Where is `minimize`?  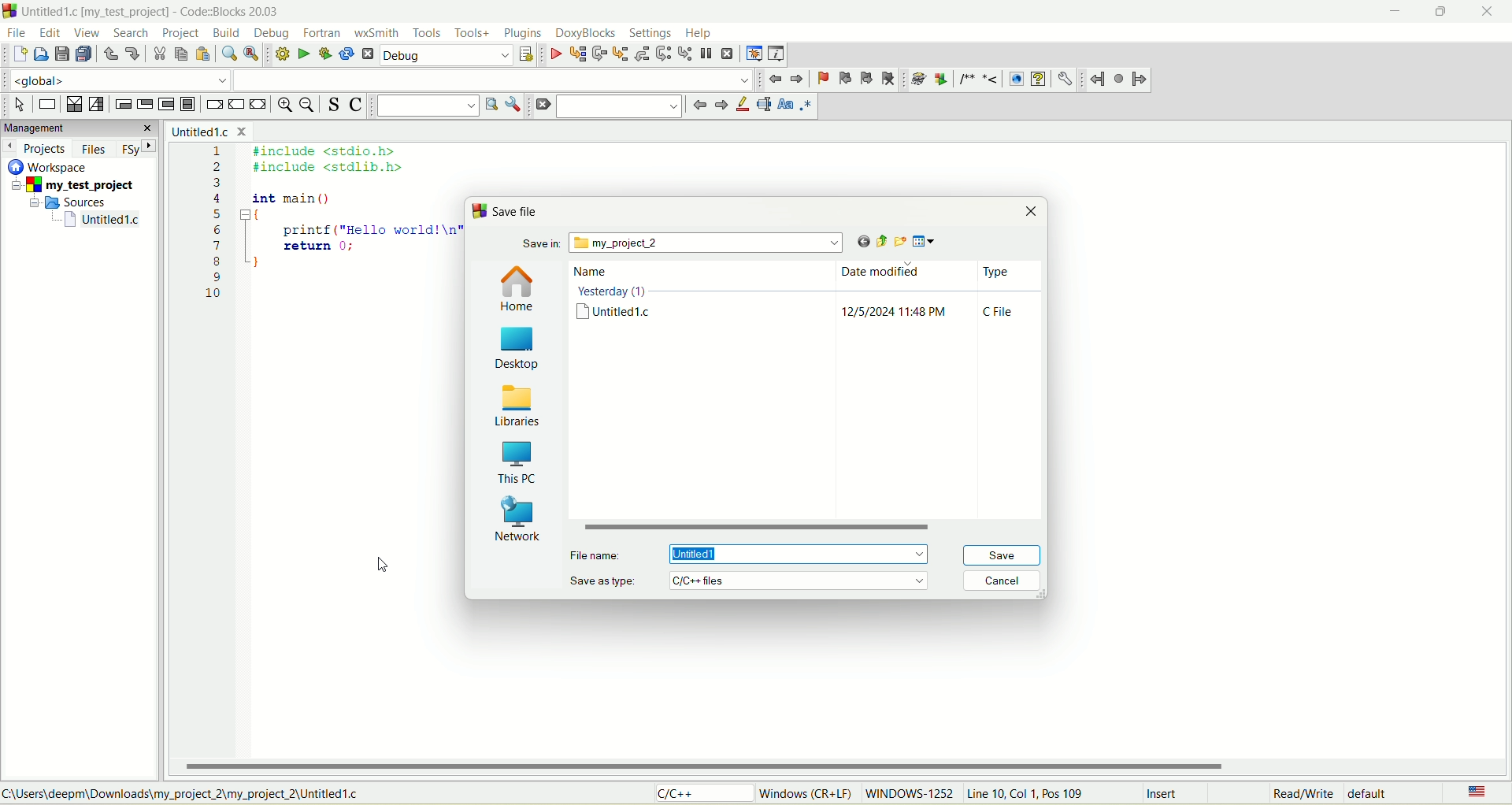 minimize is located at coordinates (1392, 14).